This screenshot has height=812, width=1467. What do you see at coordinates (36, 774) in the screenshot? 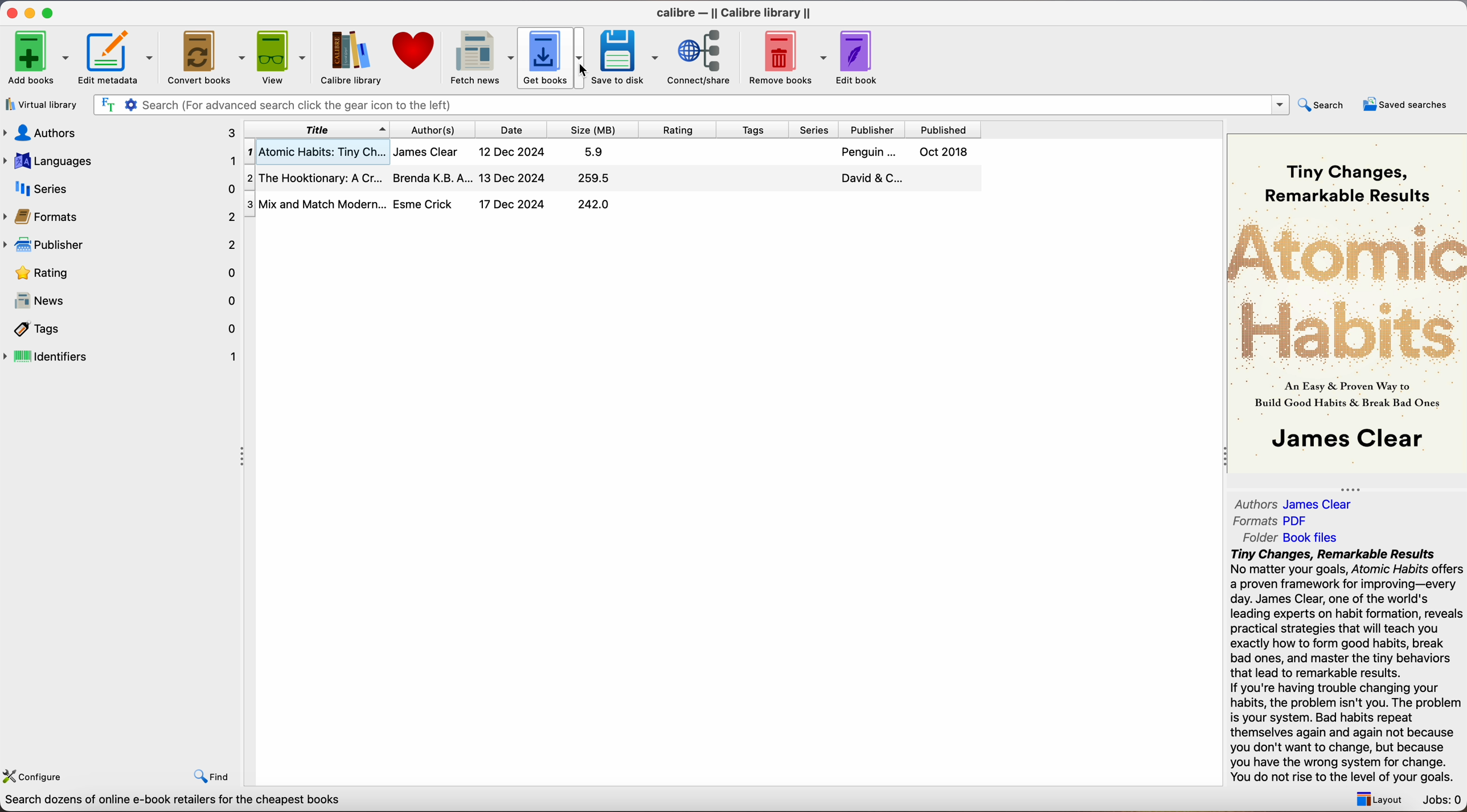
I see `configure` at bounding box center [36, 774].